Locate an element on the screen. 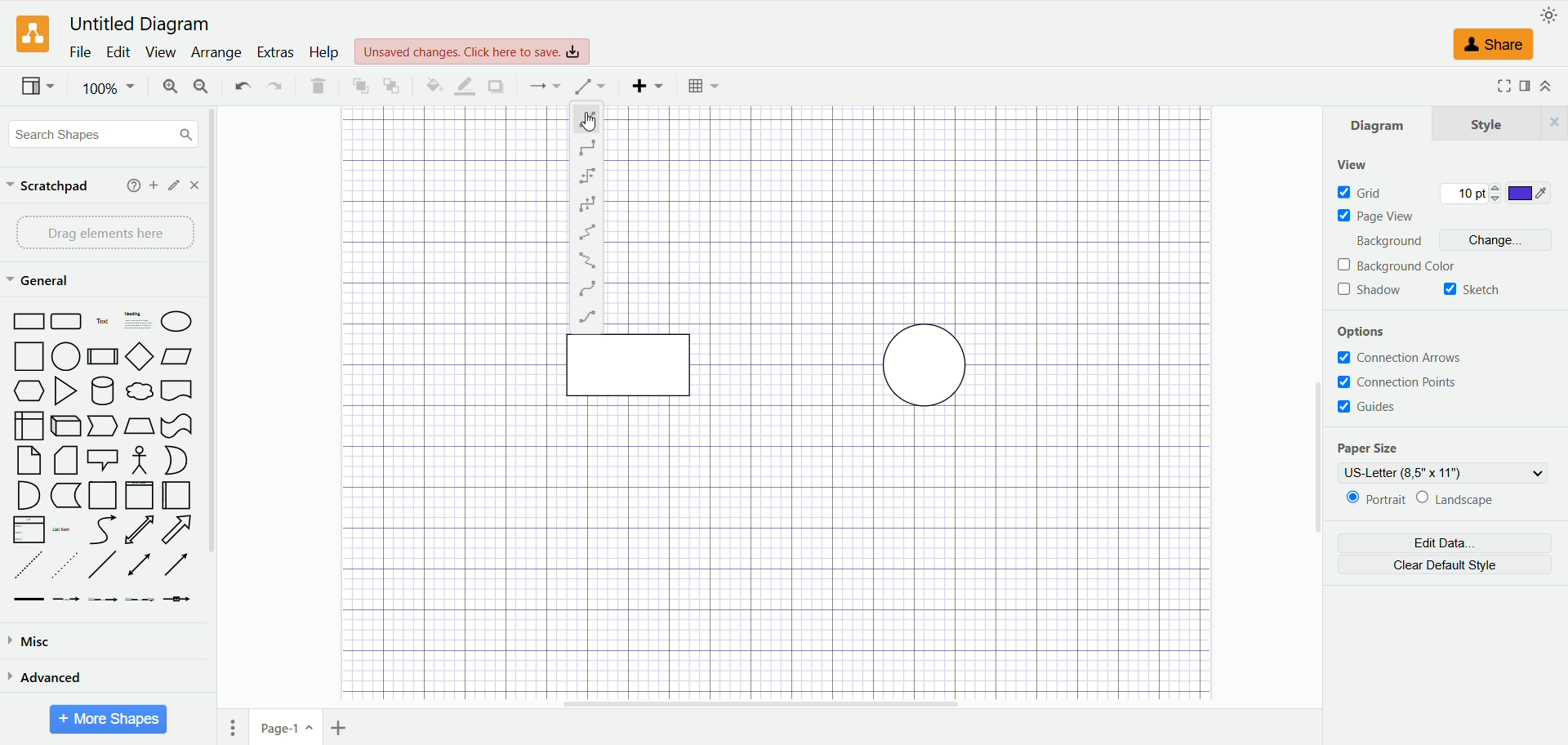 Image resolution: width=1568 pixels, height=745 pixels. edit is located at coordinates (174, 185).